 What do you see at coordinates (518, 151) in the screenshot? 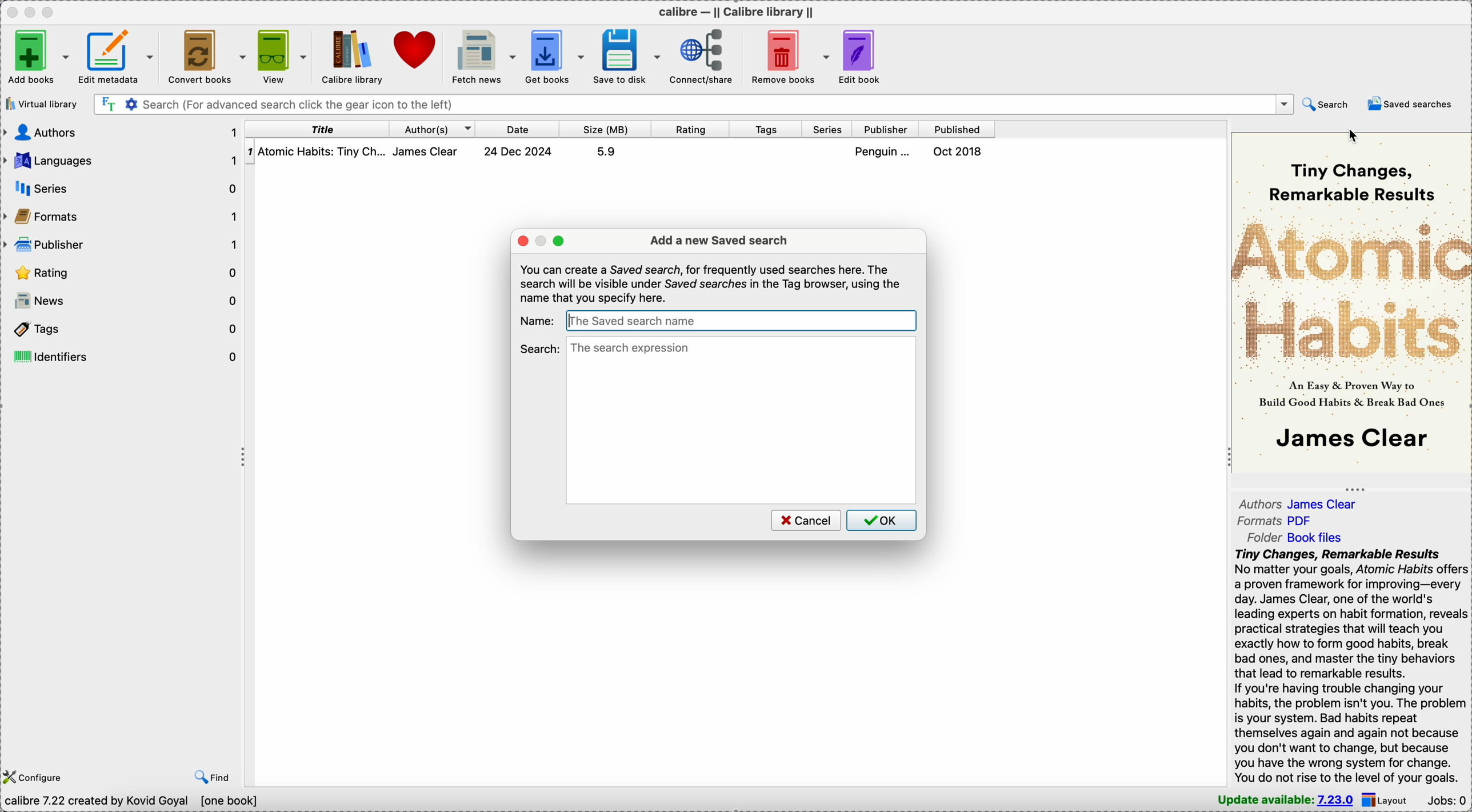
I see `24 Dec 2024` at bounding box center [518, 151].